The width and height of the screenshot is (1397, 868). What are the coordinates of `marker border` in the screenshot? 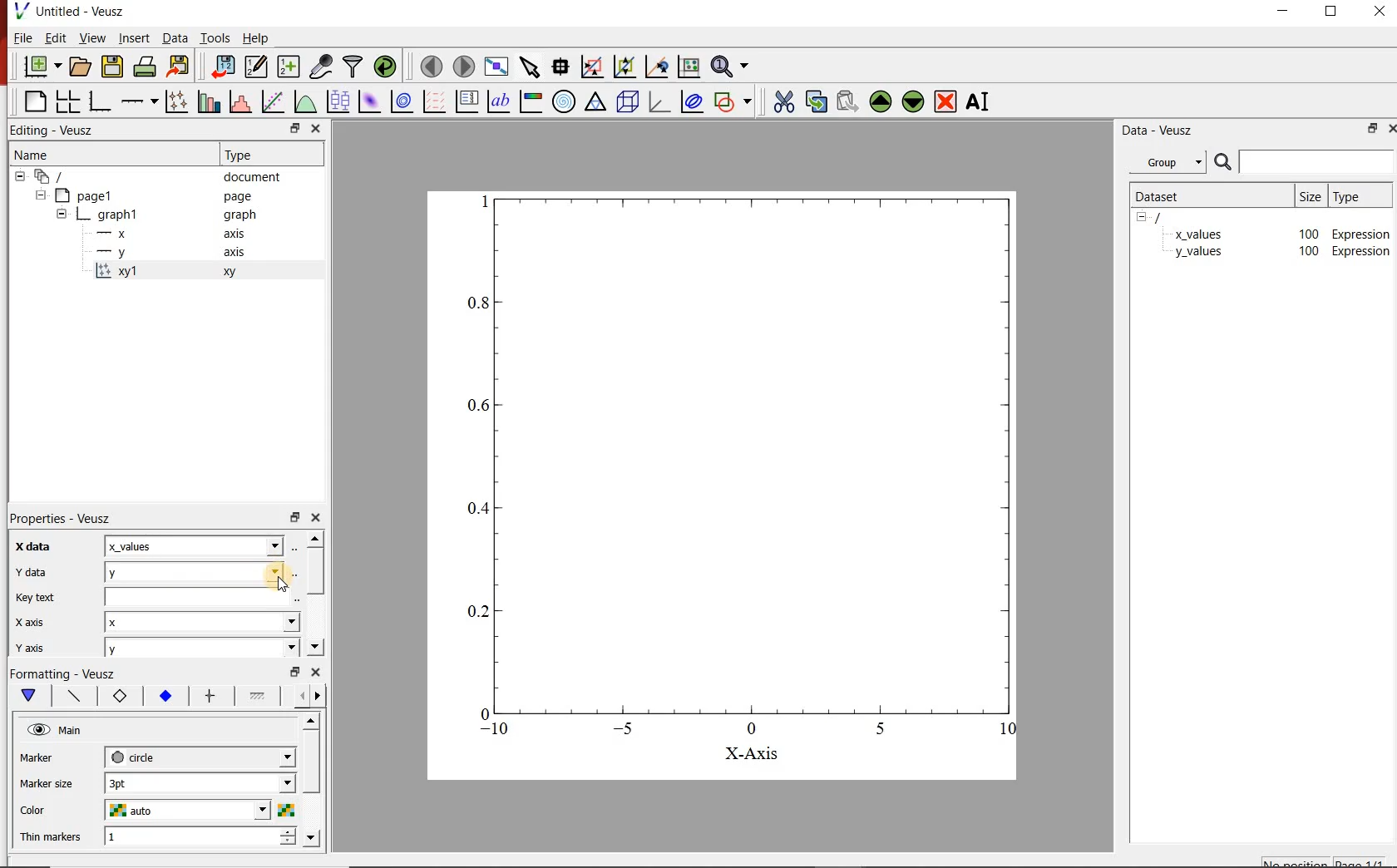 It's located at (119, 697).